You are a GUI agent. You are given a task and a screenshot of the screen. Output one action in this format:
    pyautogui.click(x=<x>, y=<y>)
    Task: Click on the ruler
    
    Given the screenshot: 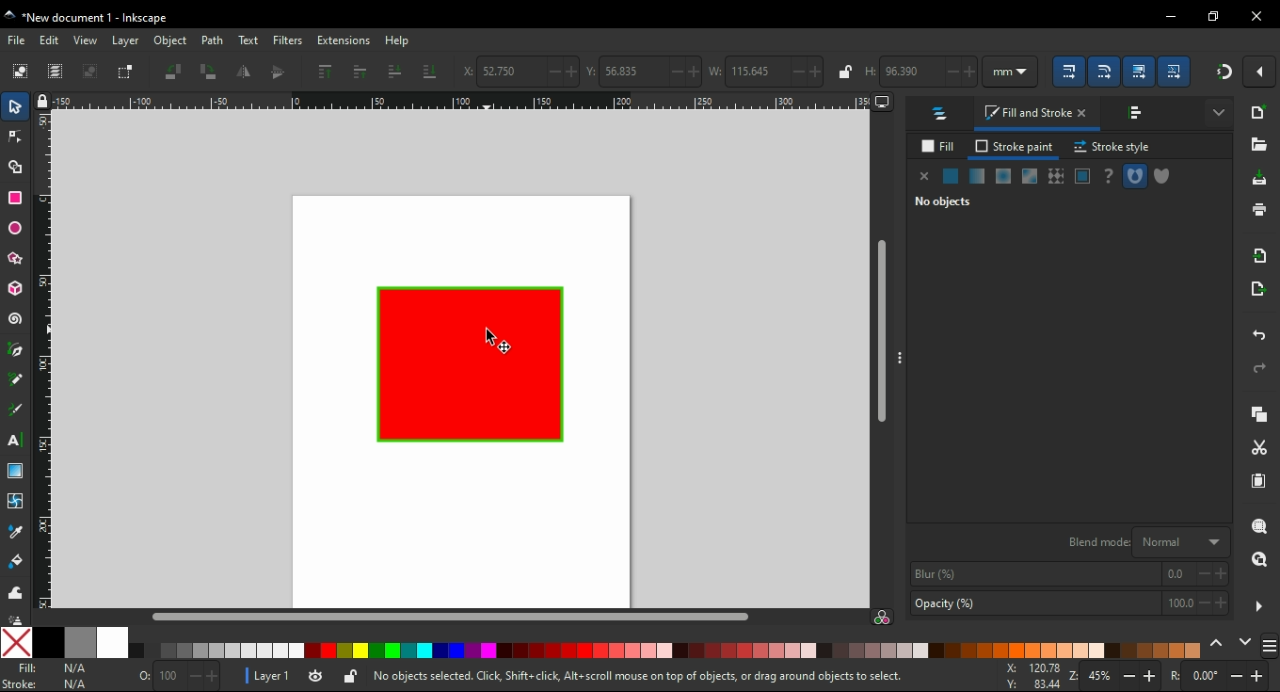 What is the action you would take?
    pyautogui.click(x=42, y=359)
    